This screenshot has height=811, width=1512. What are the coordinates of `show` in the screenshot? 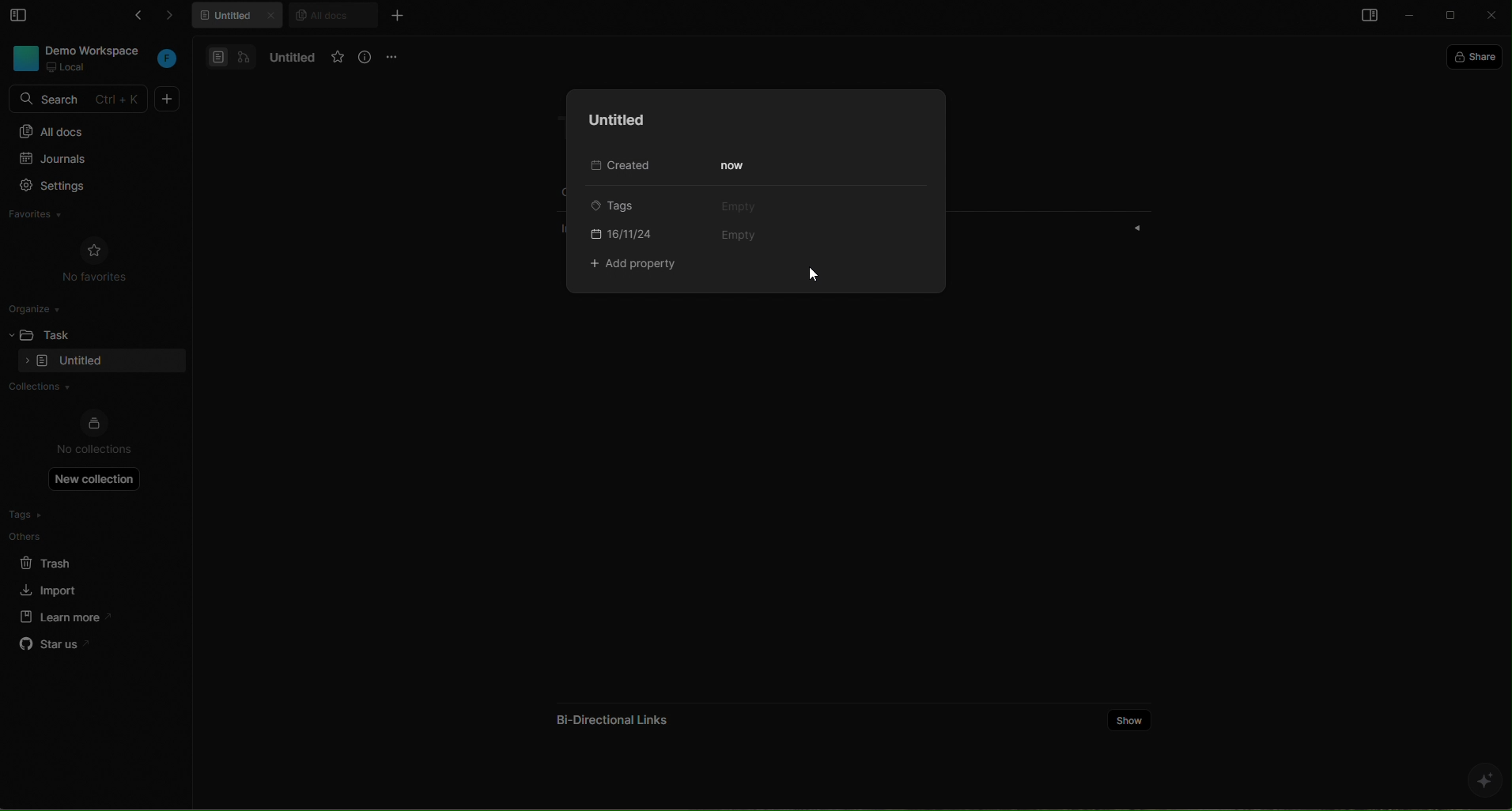 It's located at (1130, 719).